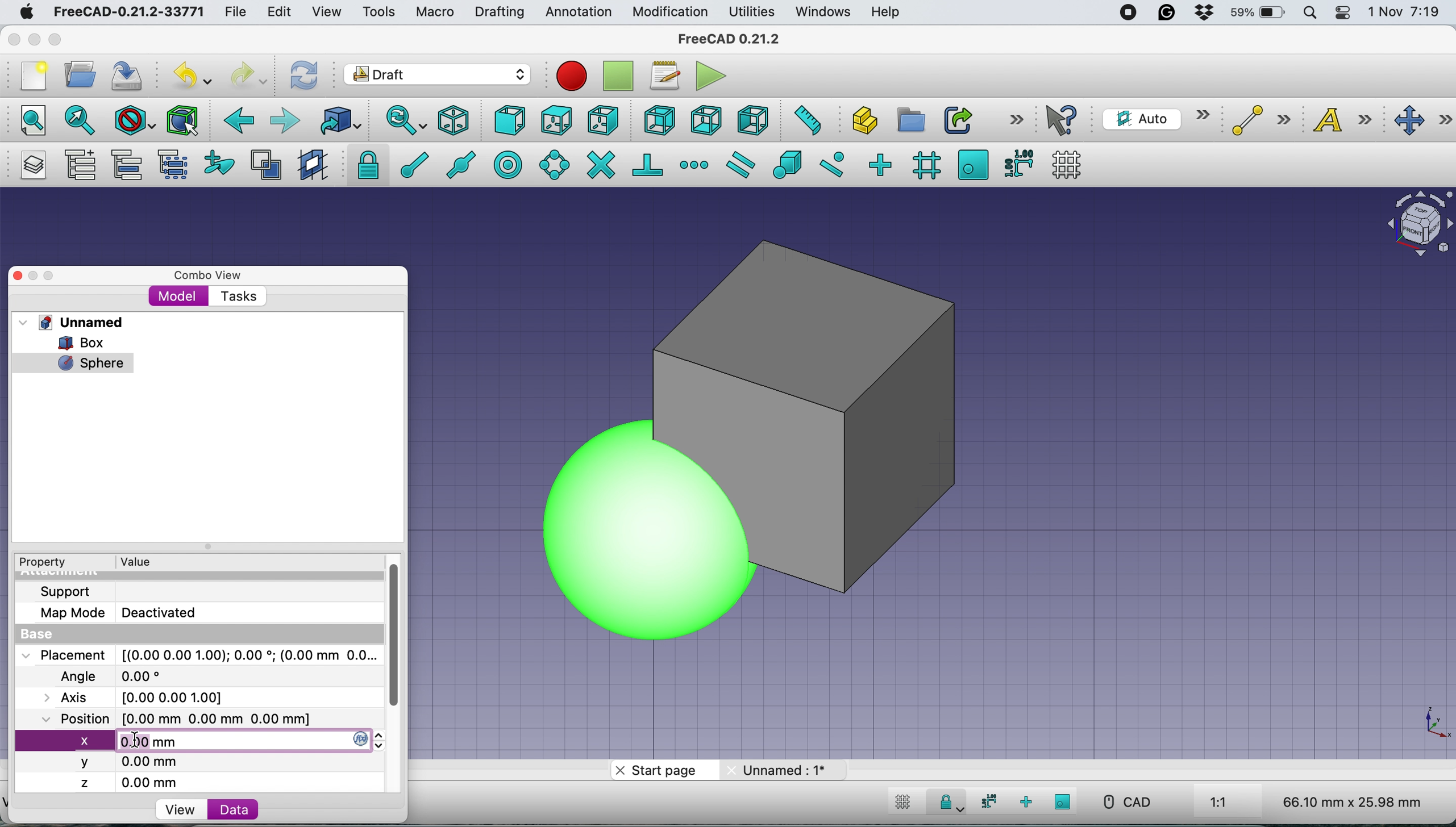 The image size is (1456, 827). I want to click on snap special, so click(787, 164).